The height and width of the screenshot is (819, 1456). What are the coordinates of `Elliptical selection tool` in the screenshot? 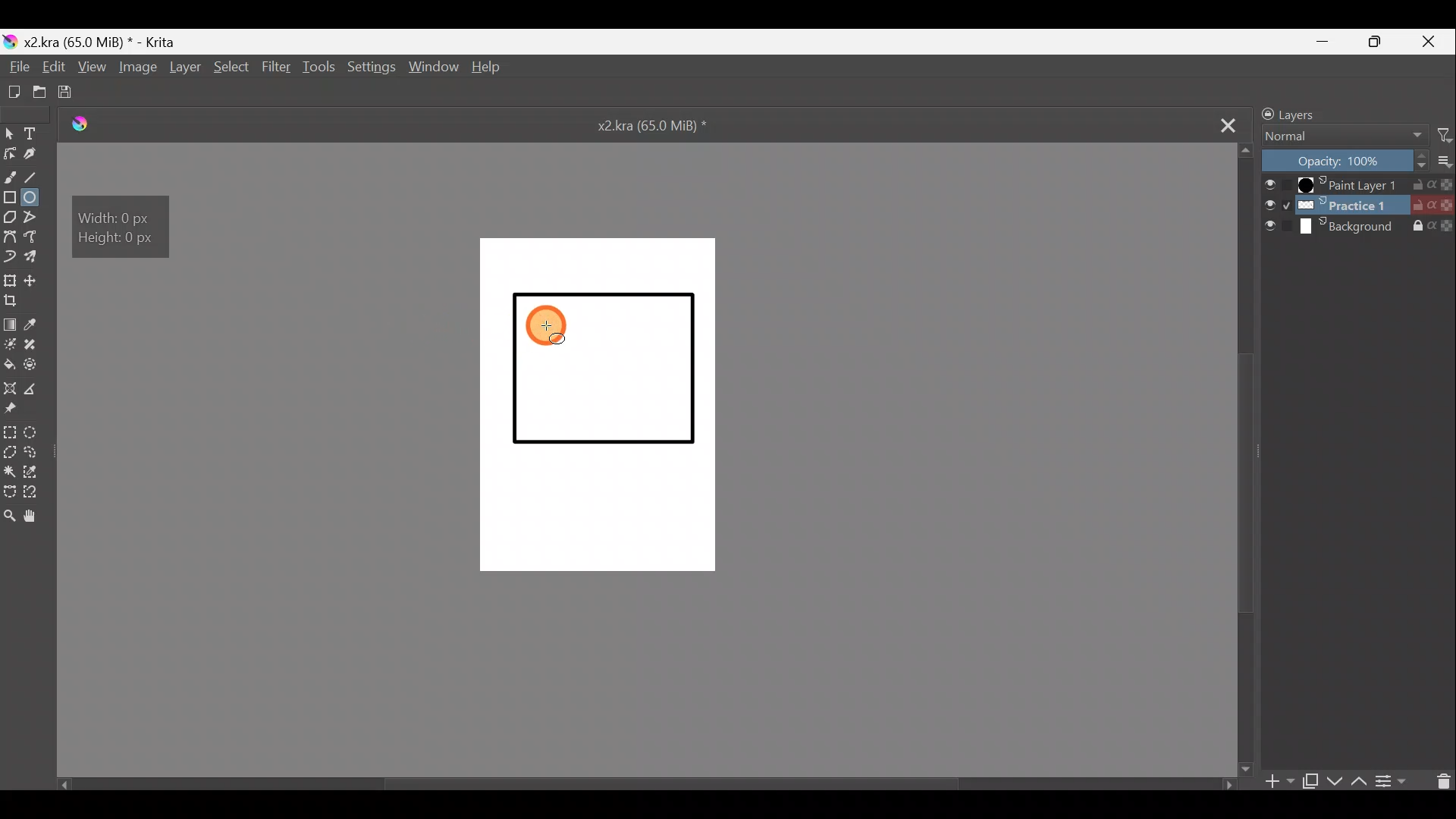 It's located at (34, 431).